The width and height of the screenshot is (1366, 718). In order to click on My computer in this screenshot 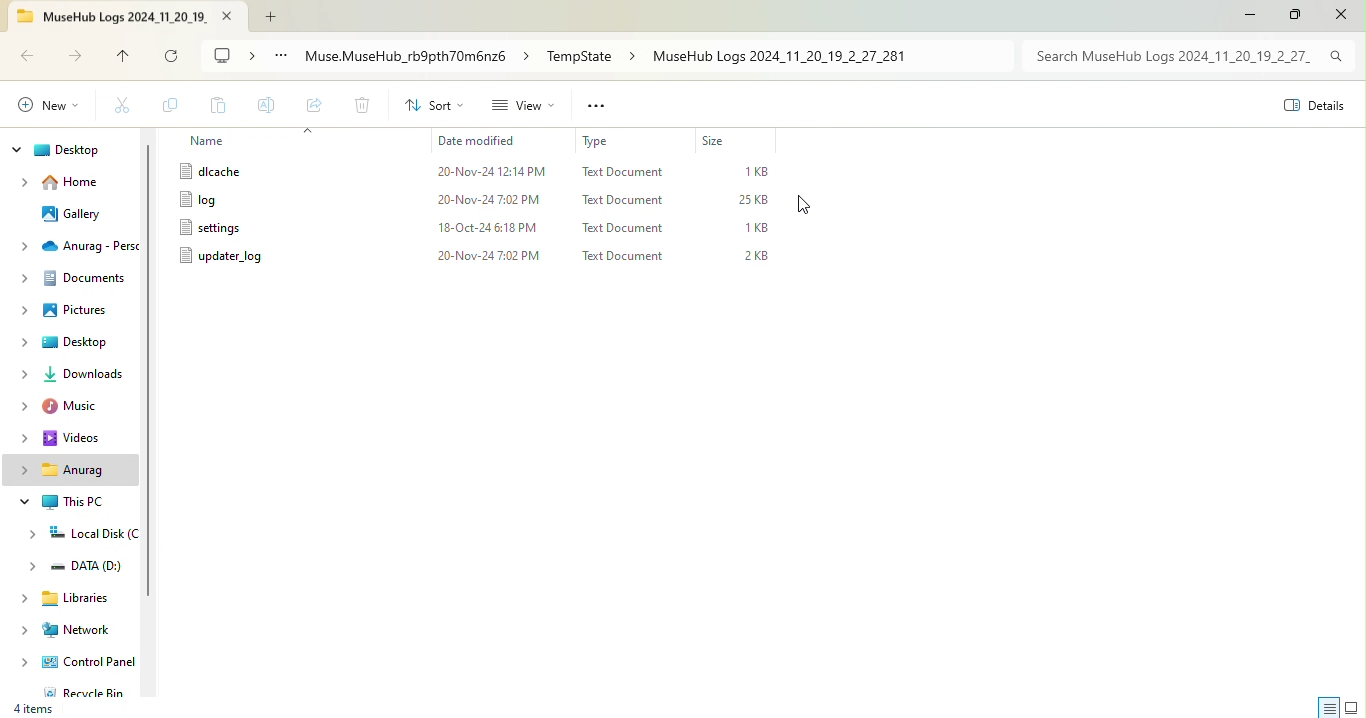, I will do `click(230, 57)`.